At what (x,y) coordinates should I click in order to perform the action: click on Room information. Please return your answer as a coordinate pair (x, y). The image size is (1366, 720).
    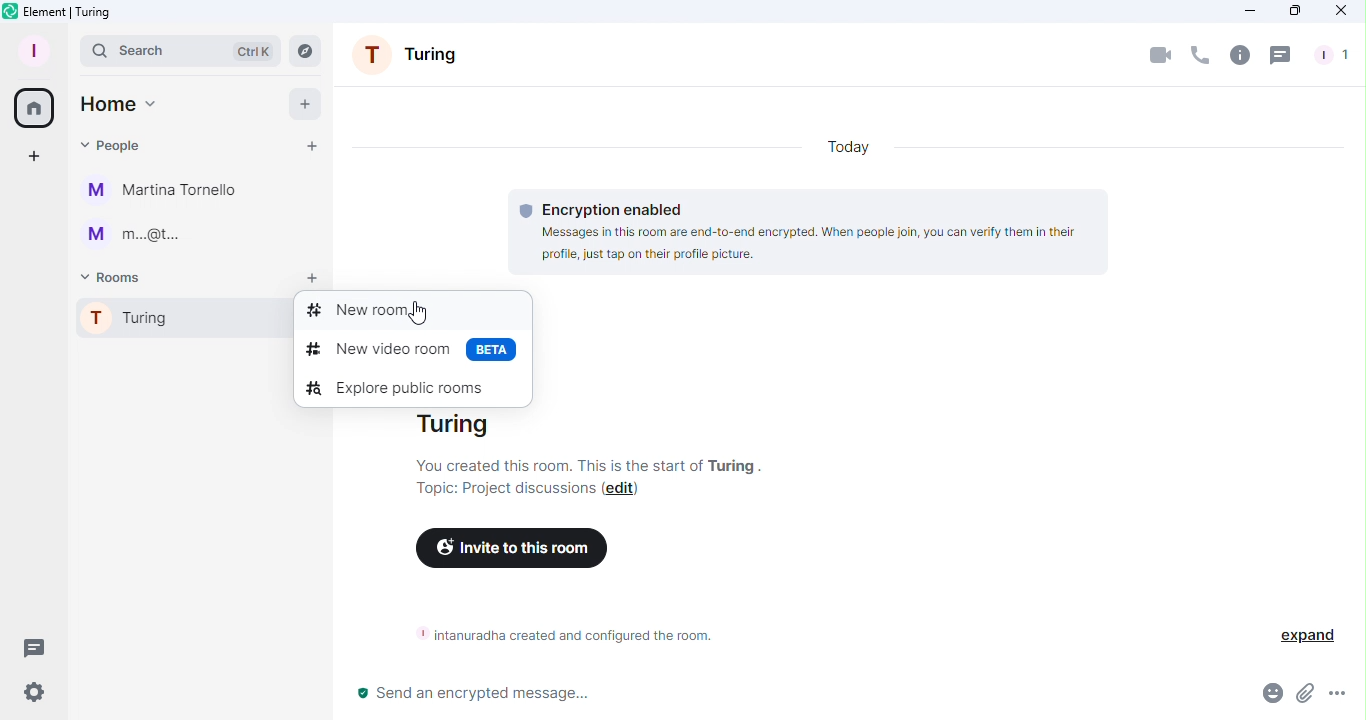
    Looking at the image, I should click on (606, 443).